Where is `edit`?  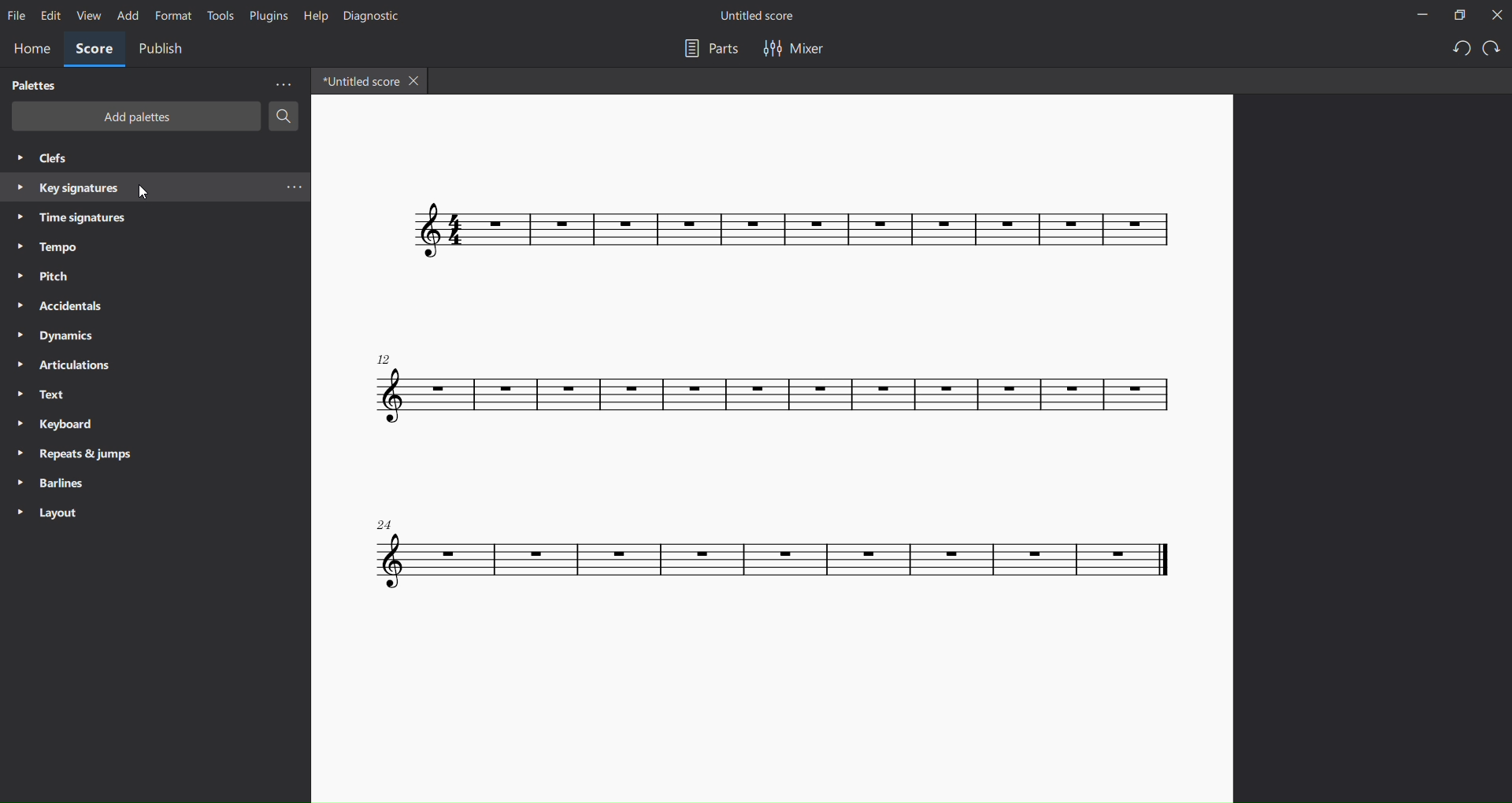 edit is located at coordinates (49, 14).